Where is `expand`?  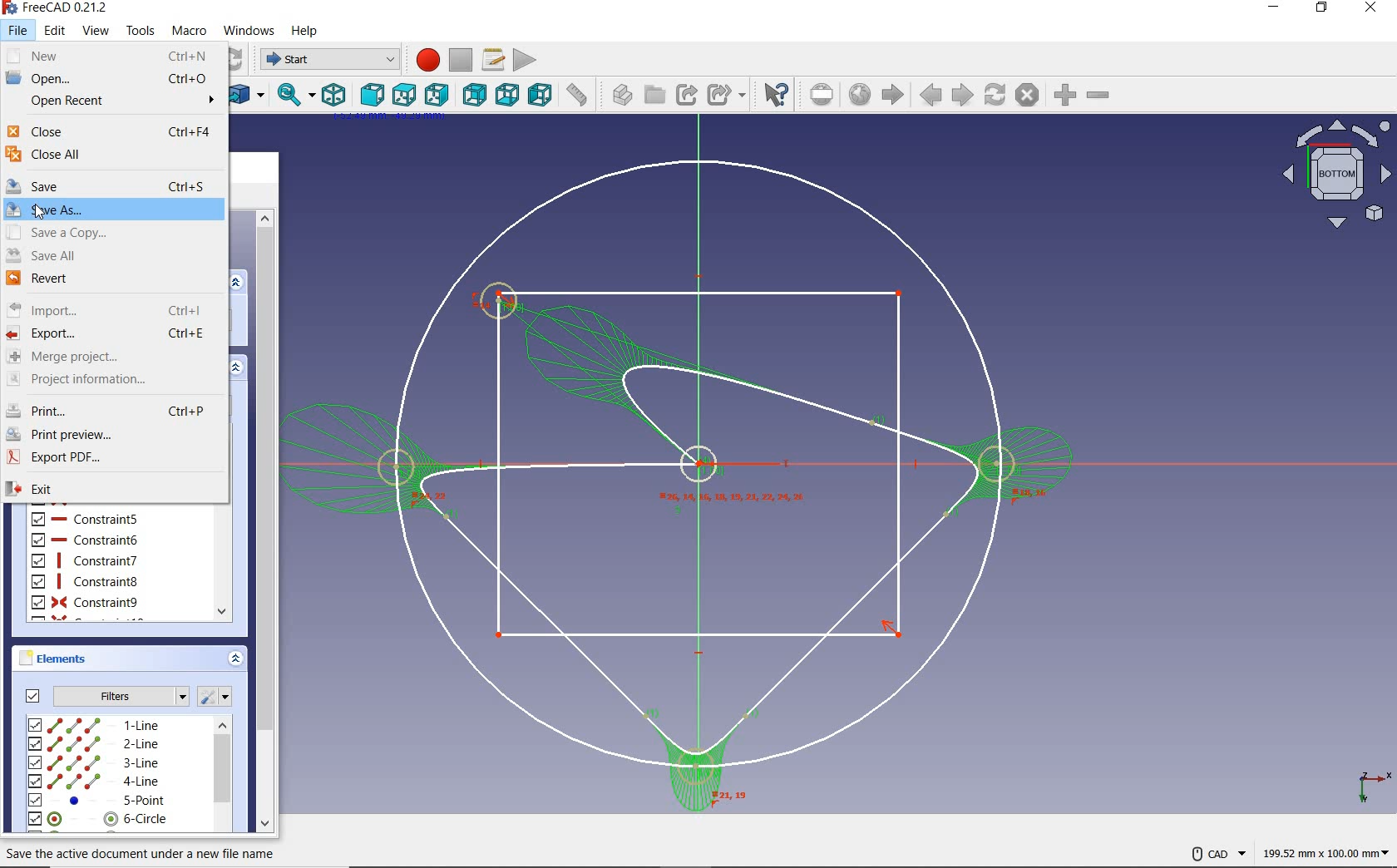 expand is located at coordinates (239, 281).